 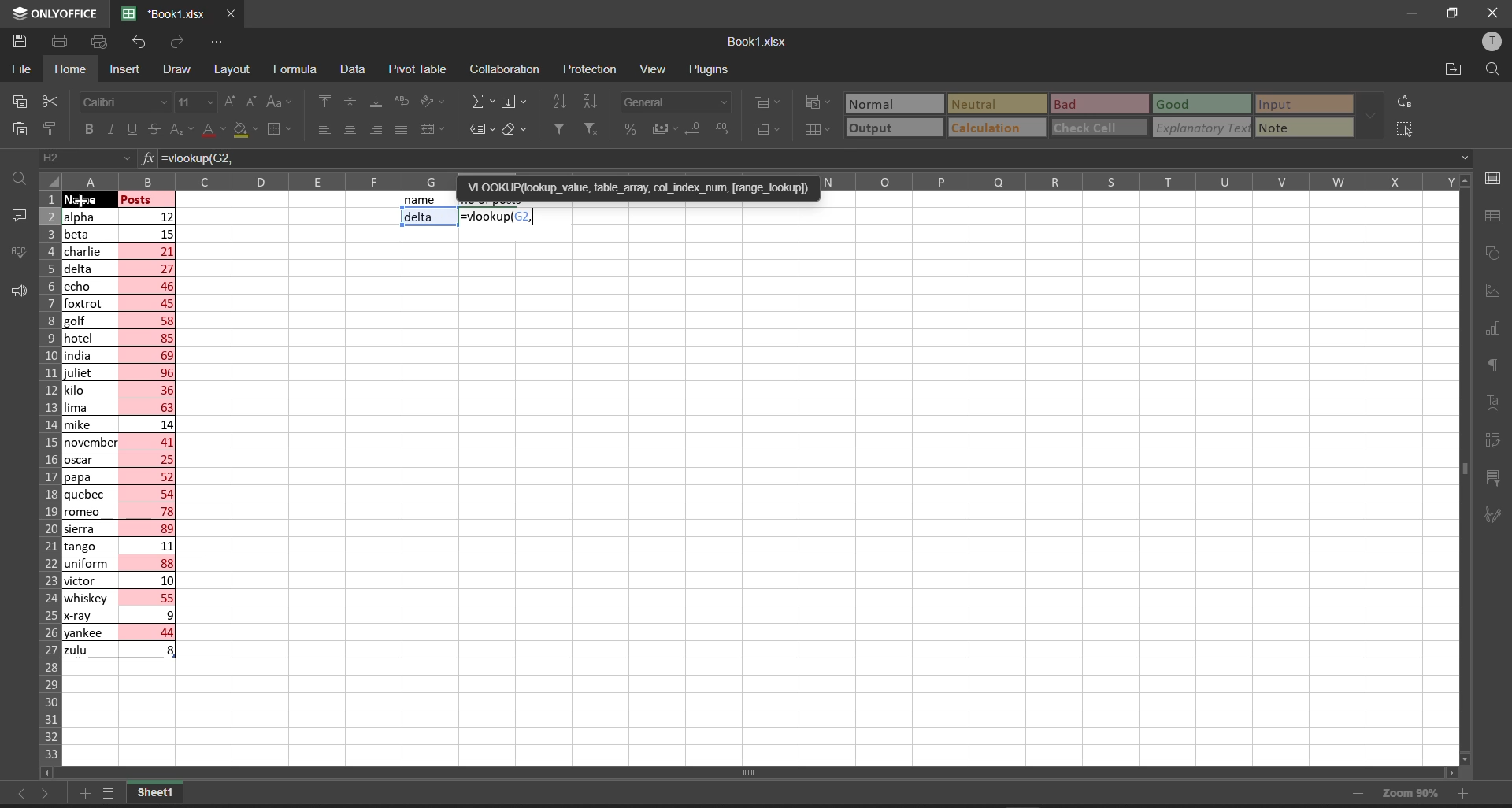 What do you see at coordinates (1464, 474) in the screenshot?
I see `vertical scroll bar` at bounding box center [1464, 474].